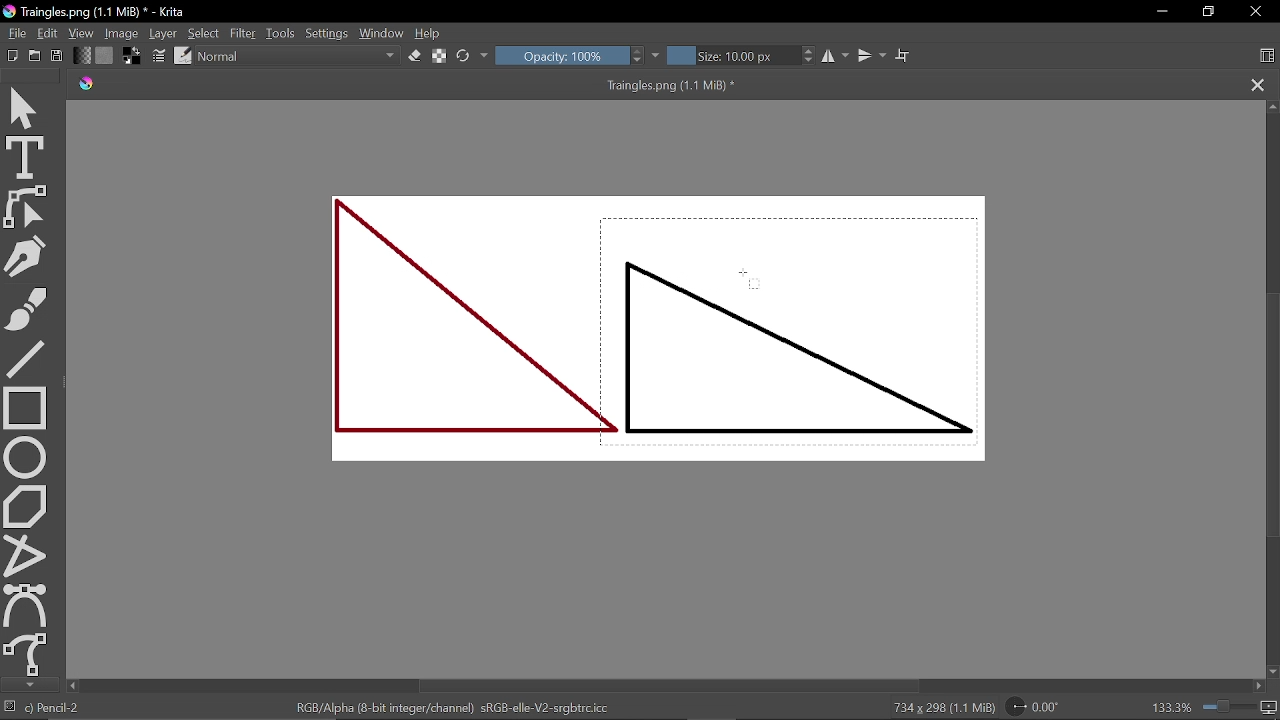 This screenshot has height=720, width=1280. I want to click on Select, so click(202, 33).